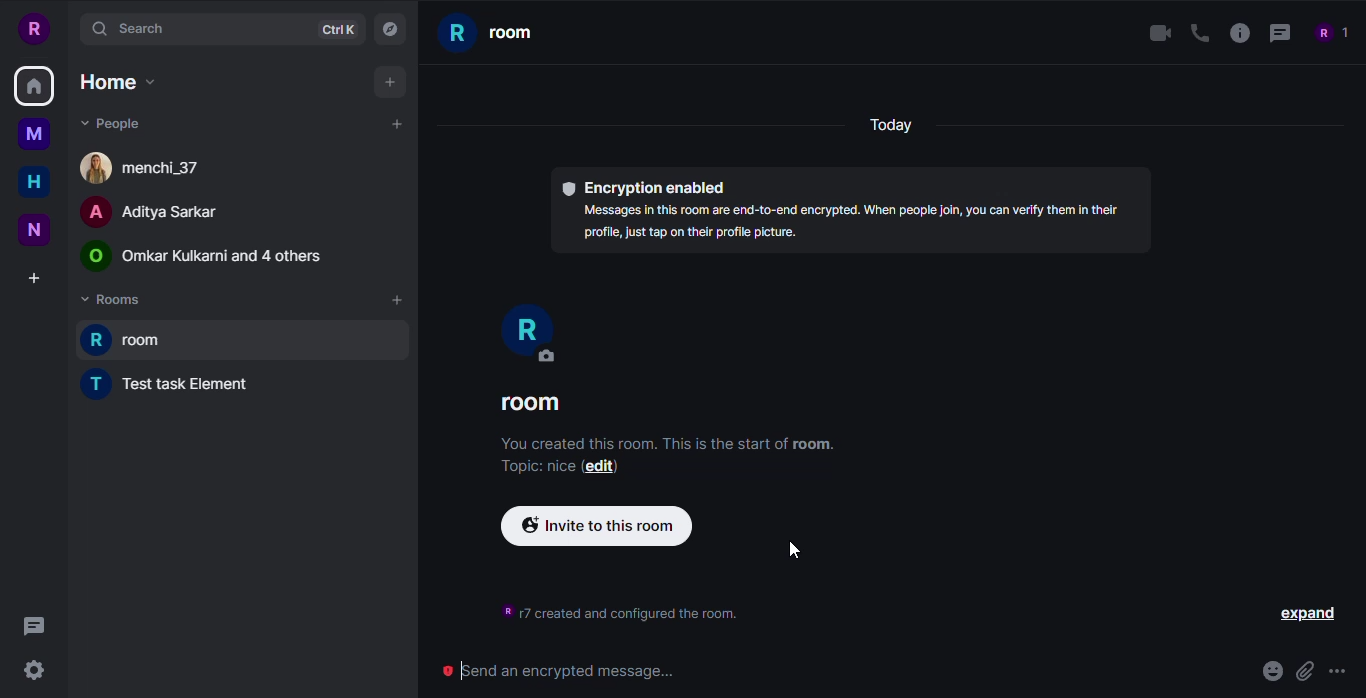  What do you see at coordinates (32, 27) in the screenshot?
I see `profile` at bounding box center [32, 27].